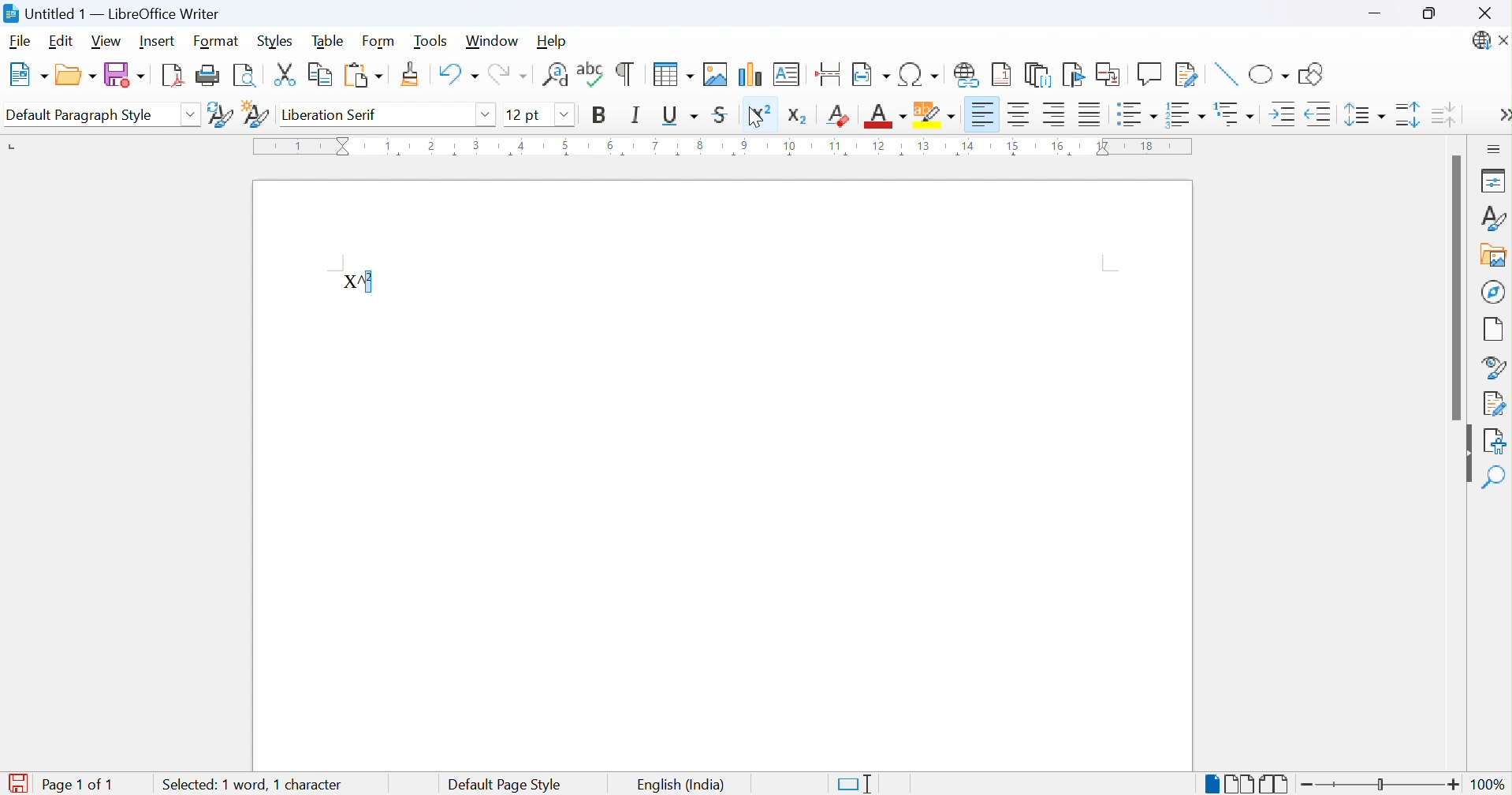 Image resolution: width=1512 pixels, height=795 pixels. What do you see at coordinates (333, 114) in the screenshot?
I see `Liberation serif` at bounding box center [333, 114].